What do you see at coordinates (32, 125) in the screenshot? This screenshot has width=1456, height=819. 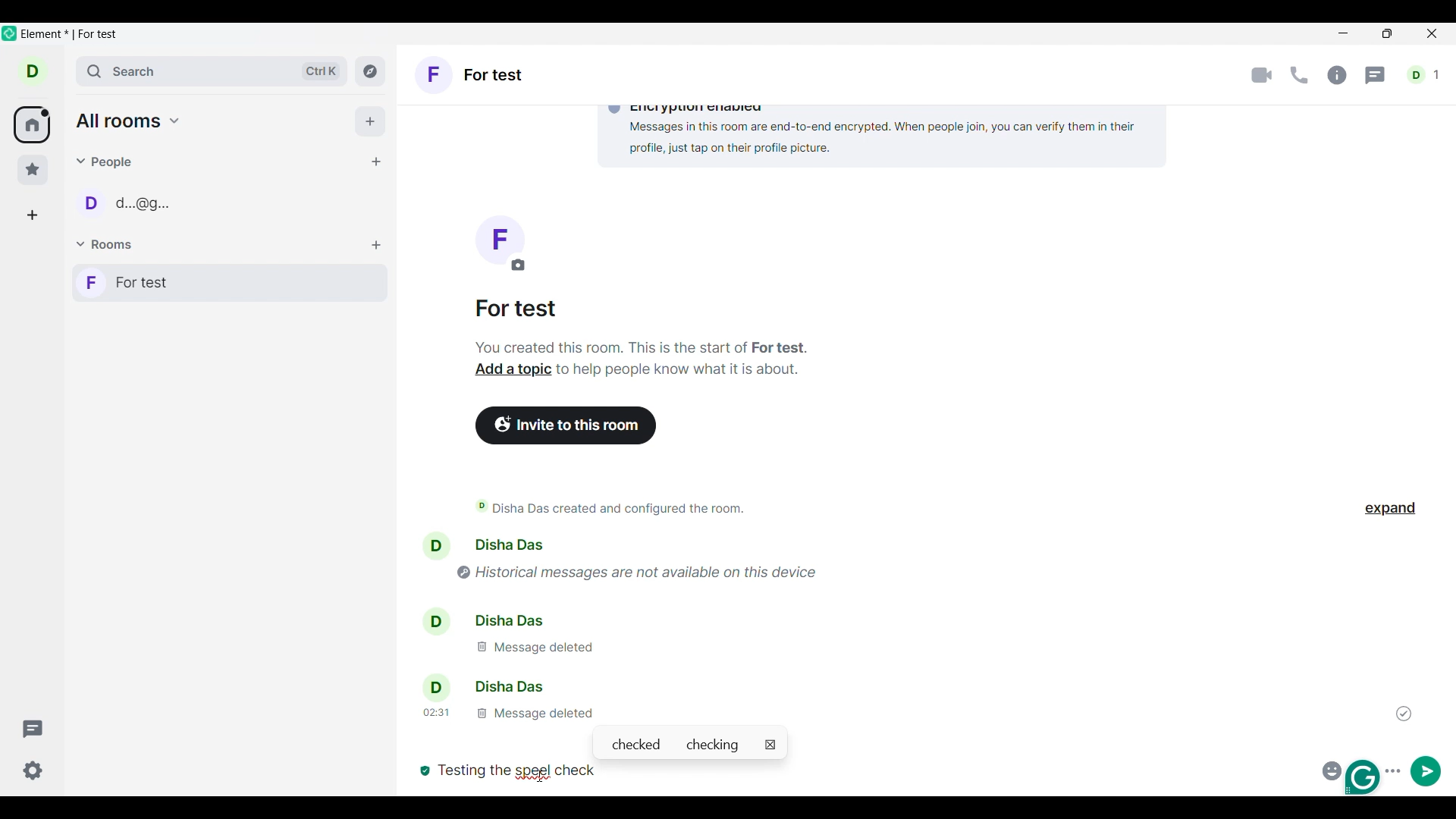 I see `All rooms` at bounding box center [32, 125].